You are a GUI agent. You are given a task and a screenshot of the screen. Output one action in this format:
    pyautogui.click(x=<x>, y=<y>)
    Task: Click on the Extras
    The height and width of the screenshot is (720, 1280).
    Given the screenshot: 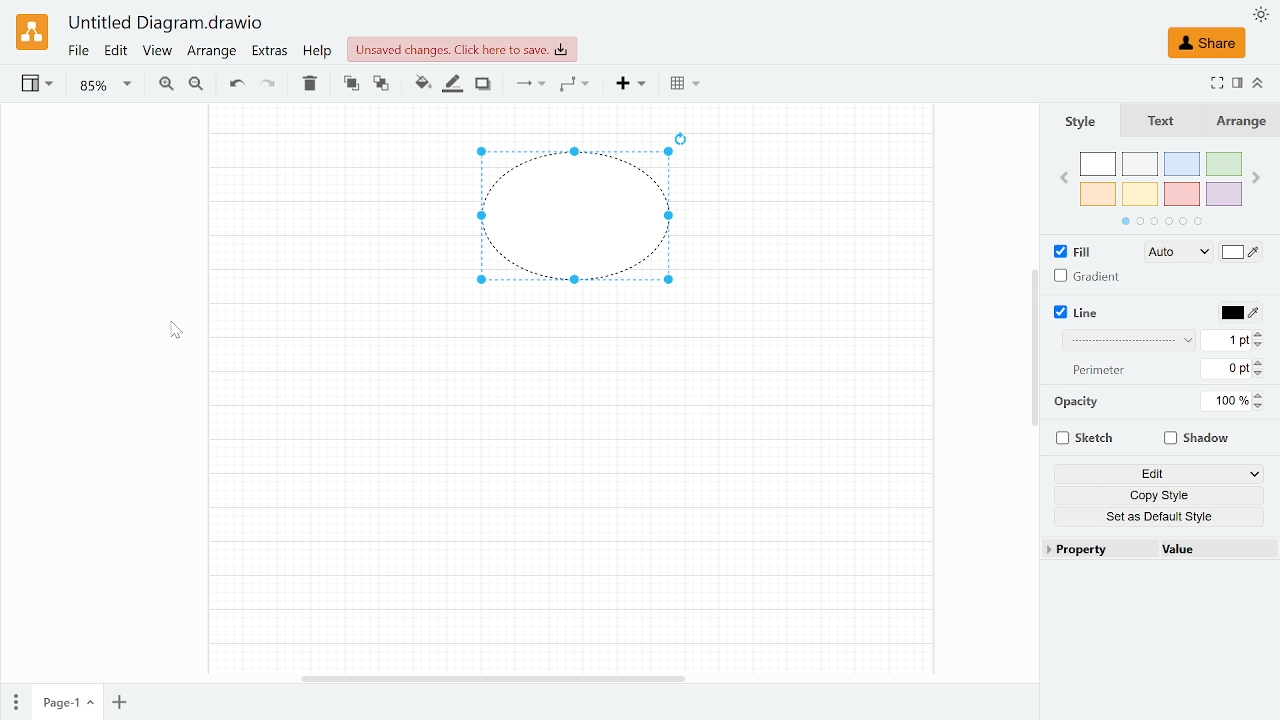 What is the action you would take?
    pyautogui.click(x=270, y=52)
    